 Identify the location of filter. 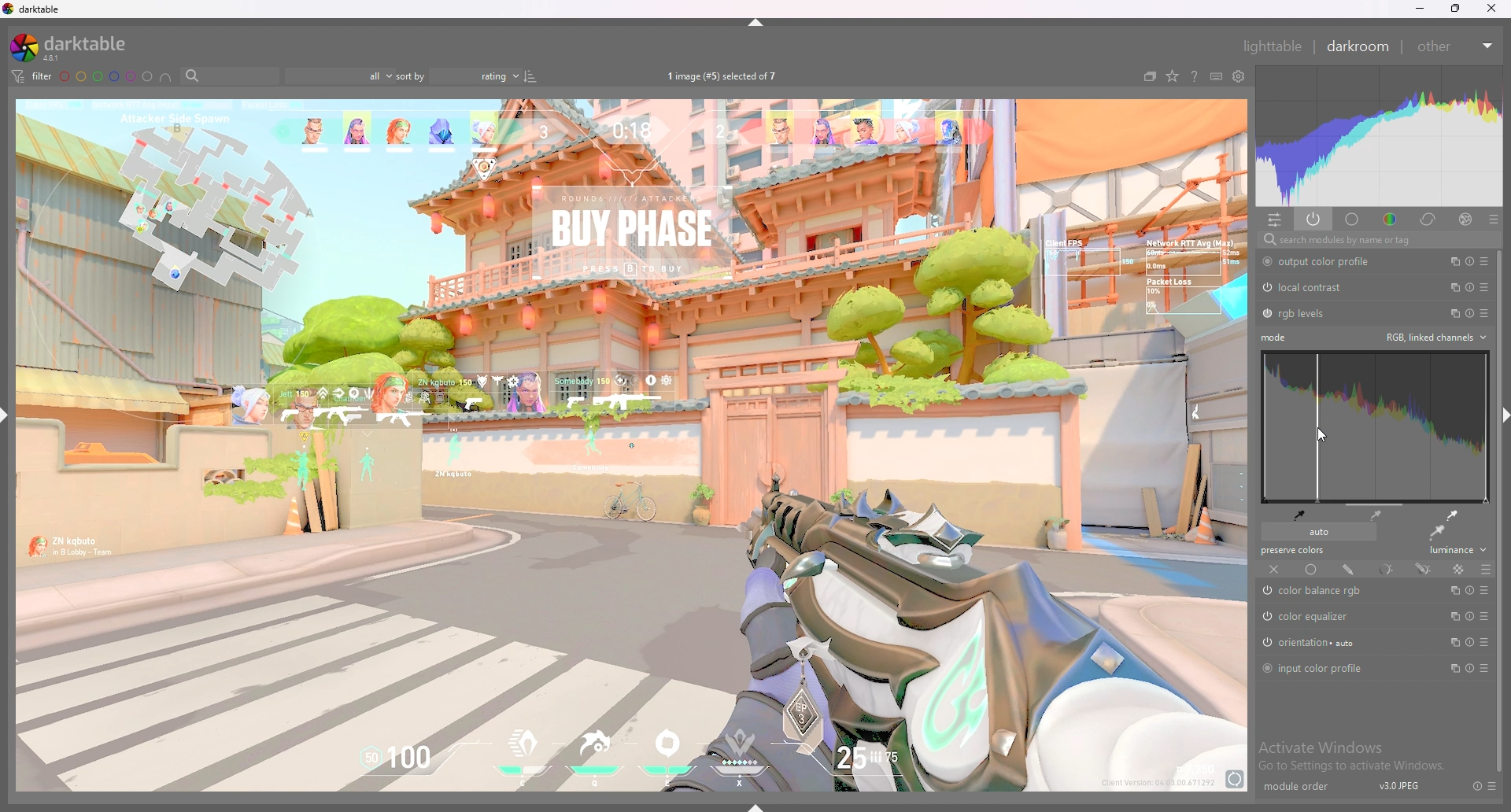
(32, 77).